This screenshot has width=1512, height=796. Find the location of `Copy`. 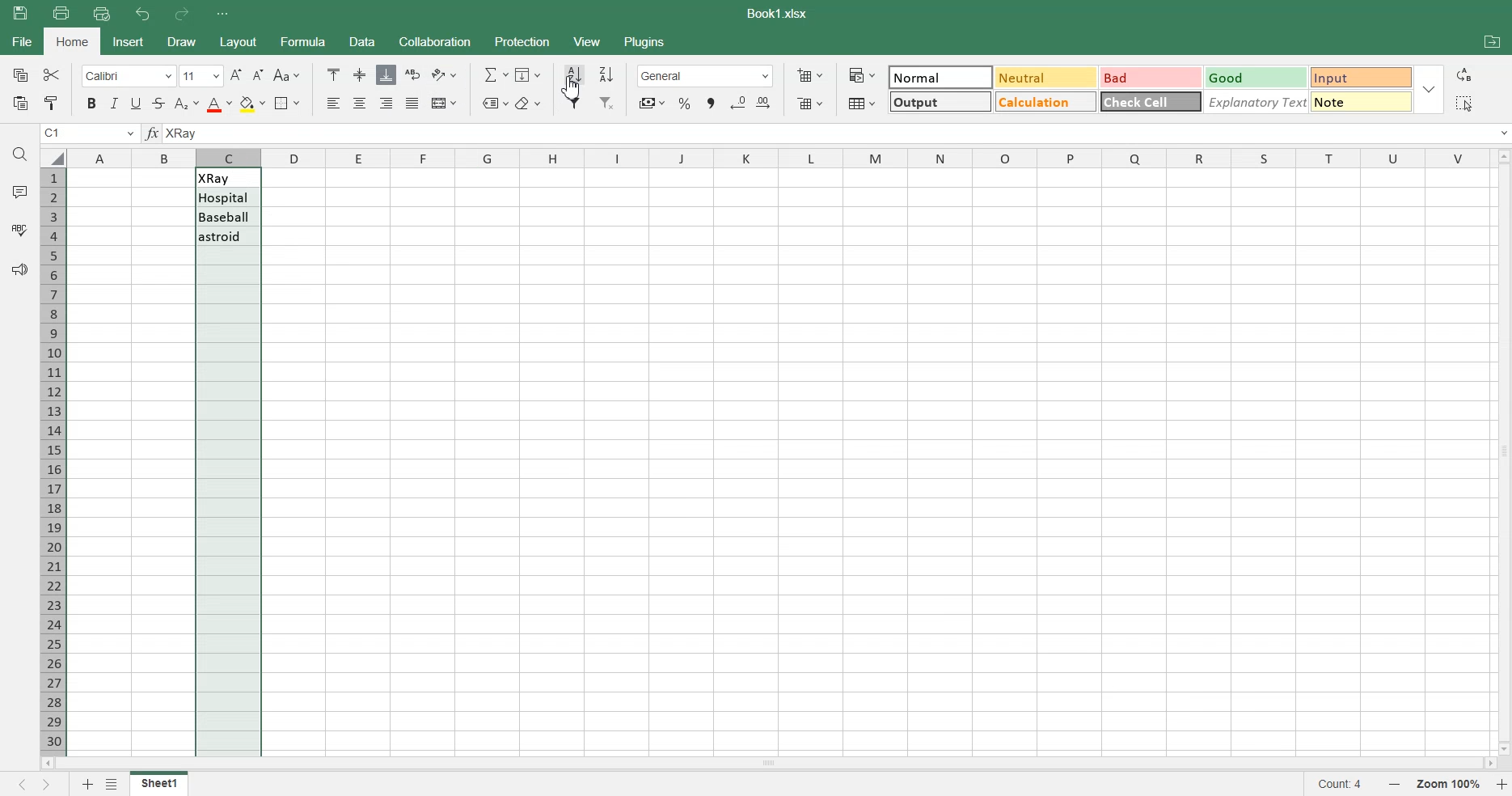

Copy is located at coordinates (18, 74).